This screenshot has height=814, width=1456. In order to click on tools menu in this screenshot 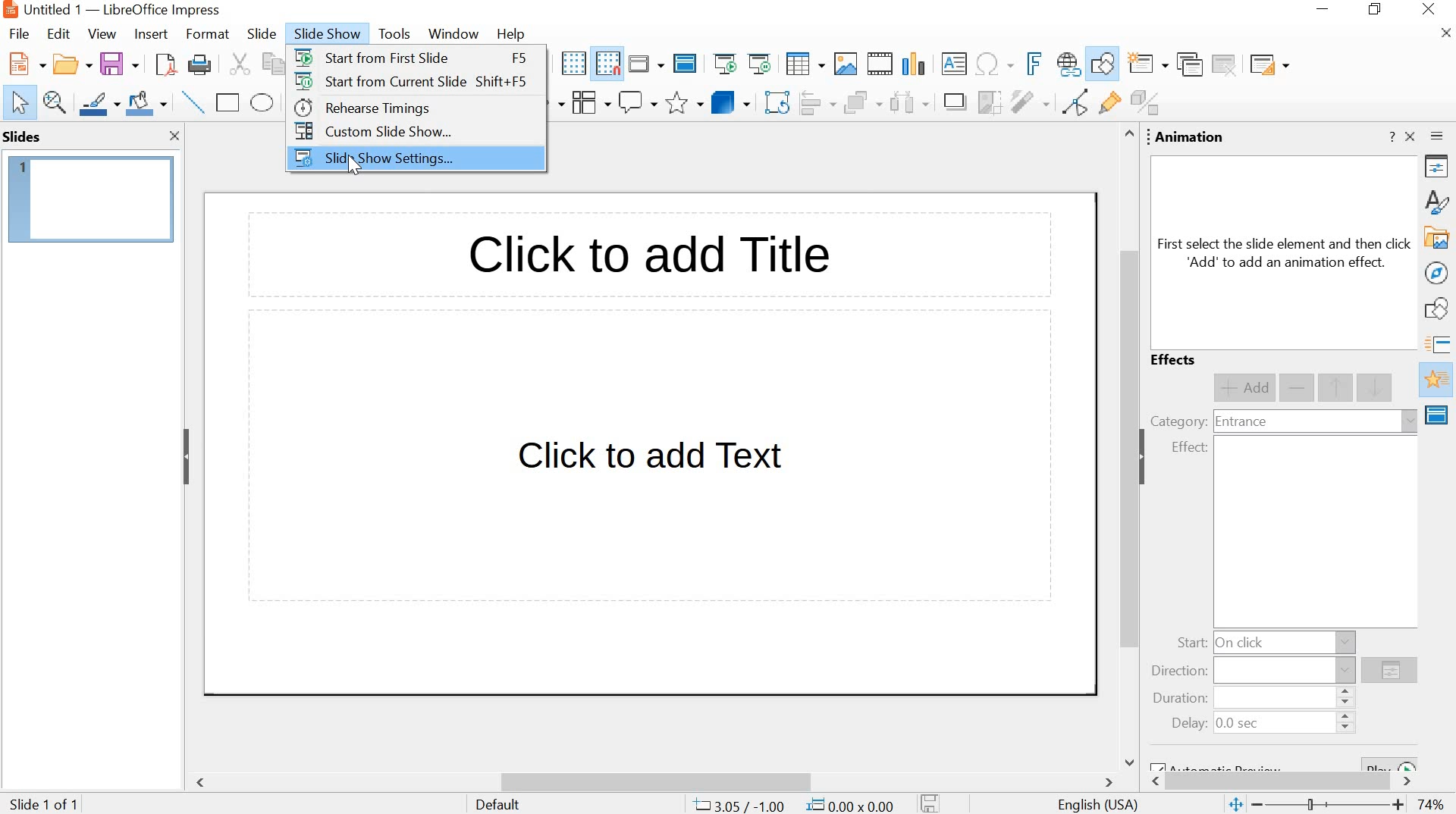, I will do `click(394, 35)`.